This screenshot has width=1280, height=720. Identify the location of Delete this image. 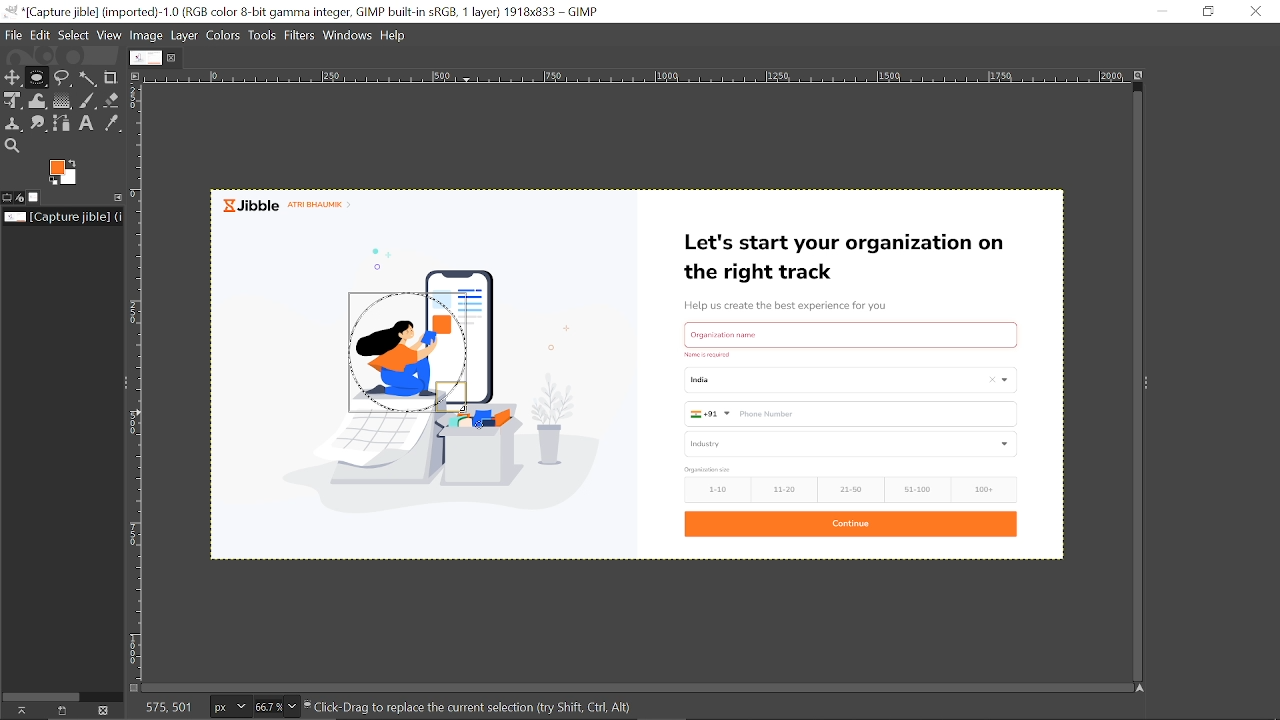
(106, 710).